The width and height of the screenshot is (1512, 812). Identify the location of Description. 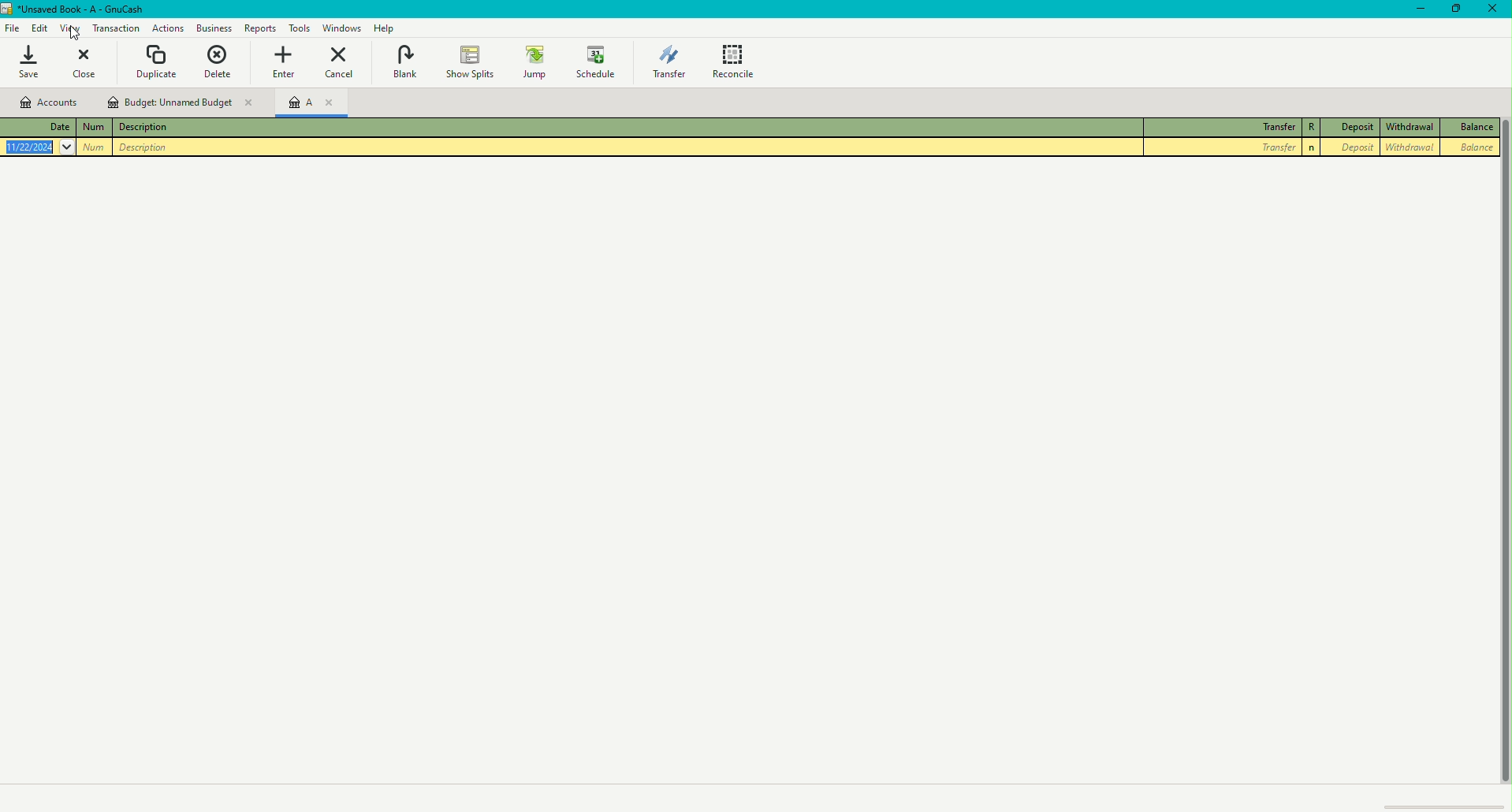
(142, 148).